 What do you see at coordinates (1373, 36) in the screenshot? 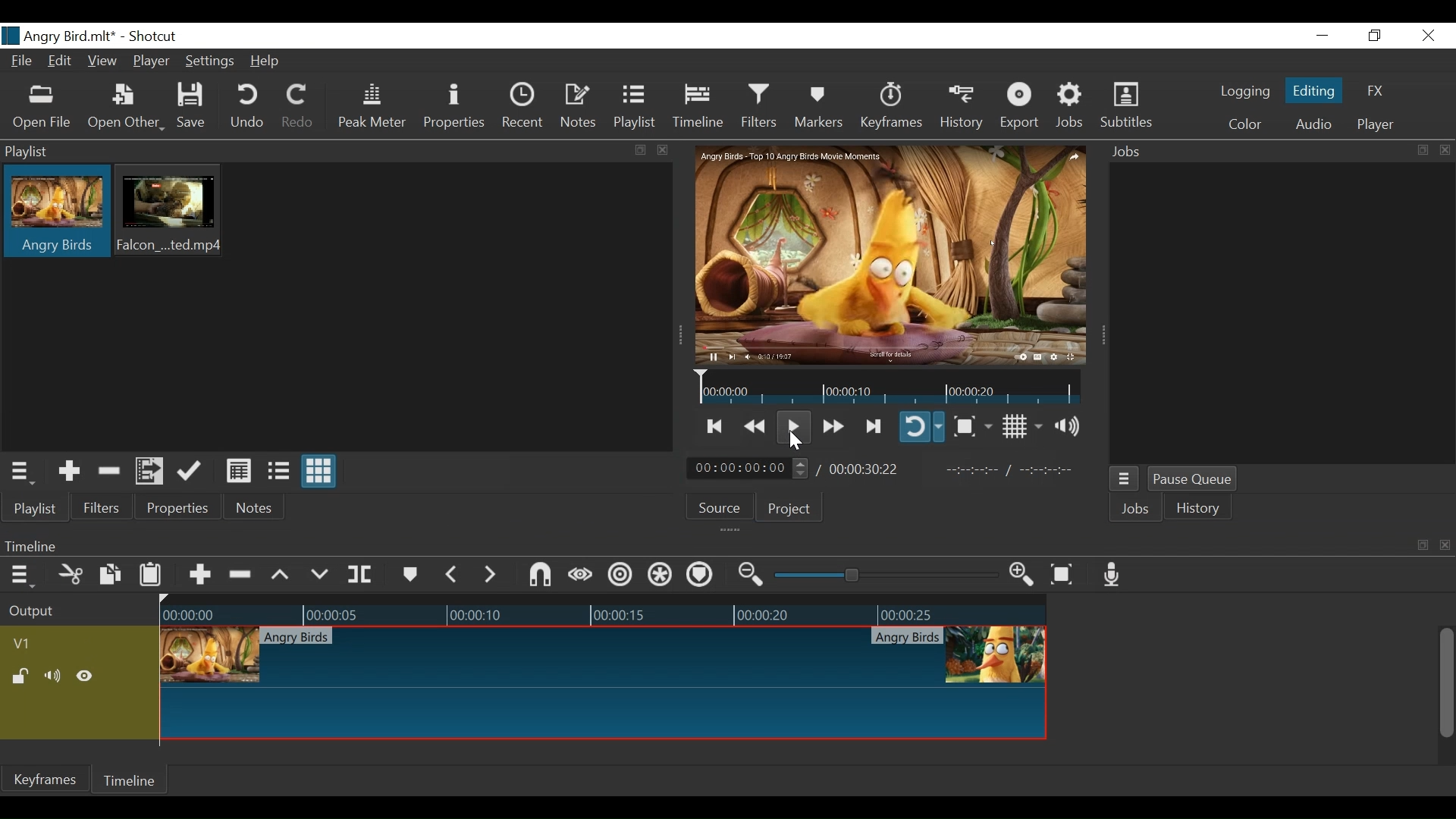
I see `Restore` at bounding box center [1373, 36].